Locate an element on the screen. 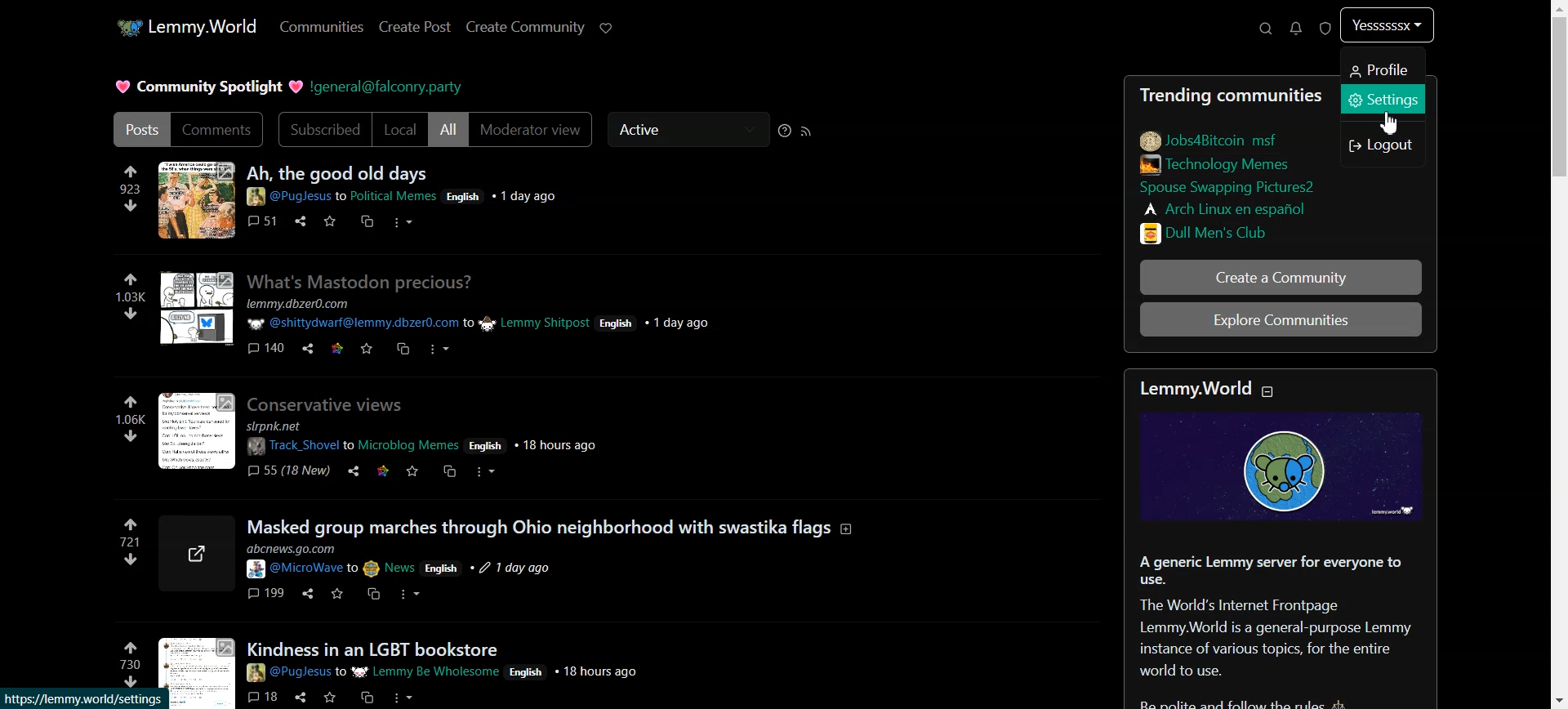 Image resolution: width=1568 pixels, height=709 pixels. Explore Community is located at coordinates (1279, 321).